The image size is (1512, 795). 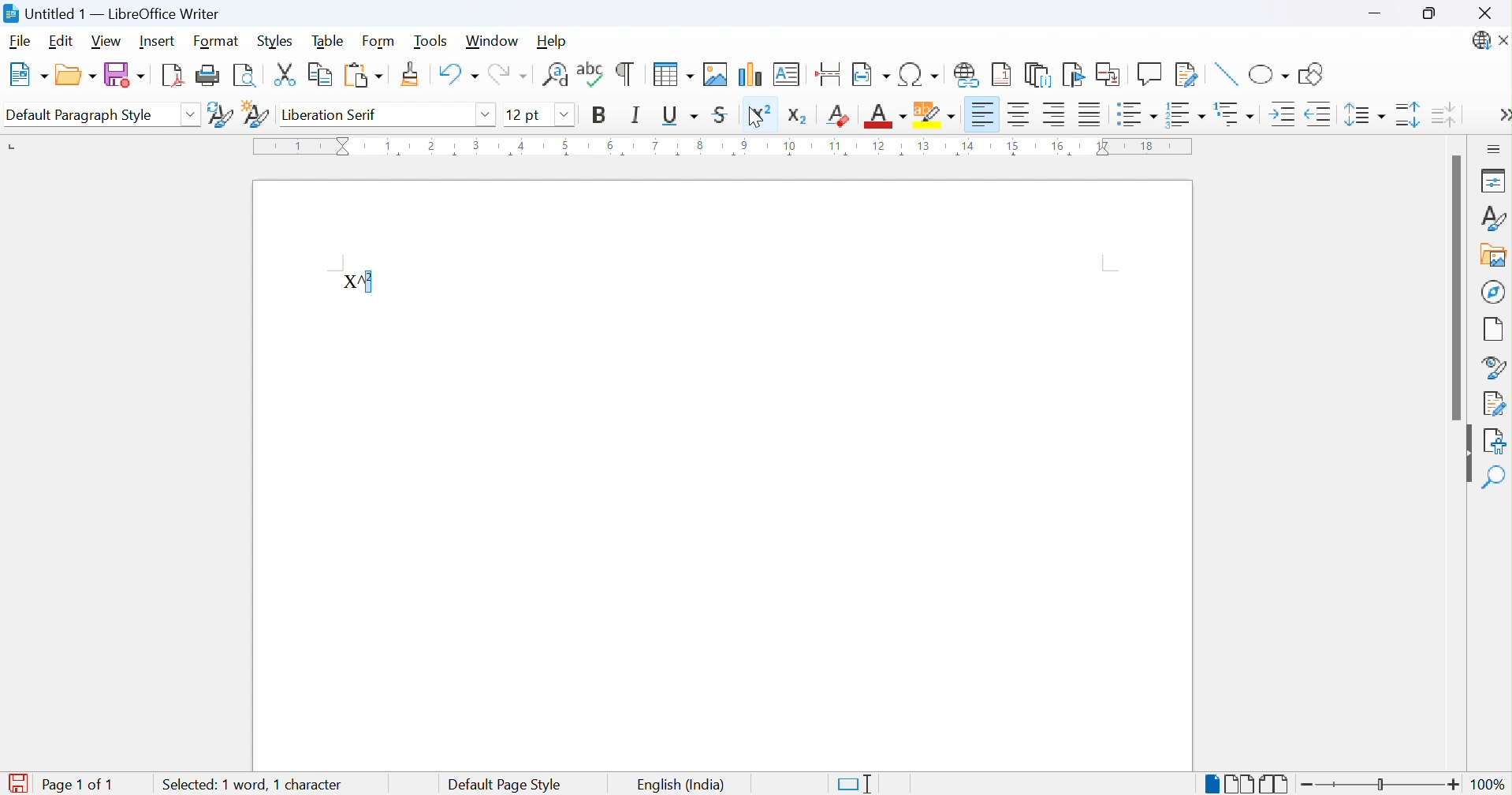 I want to click on Standard selection. Click to change selection mode., so click(x=858, y=784).